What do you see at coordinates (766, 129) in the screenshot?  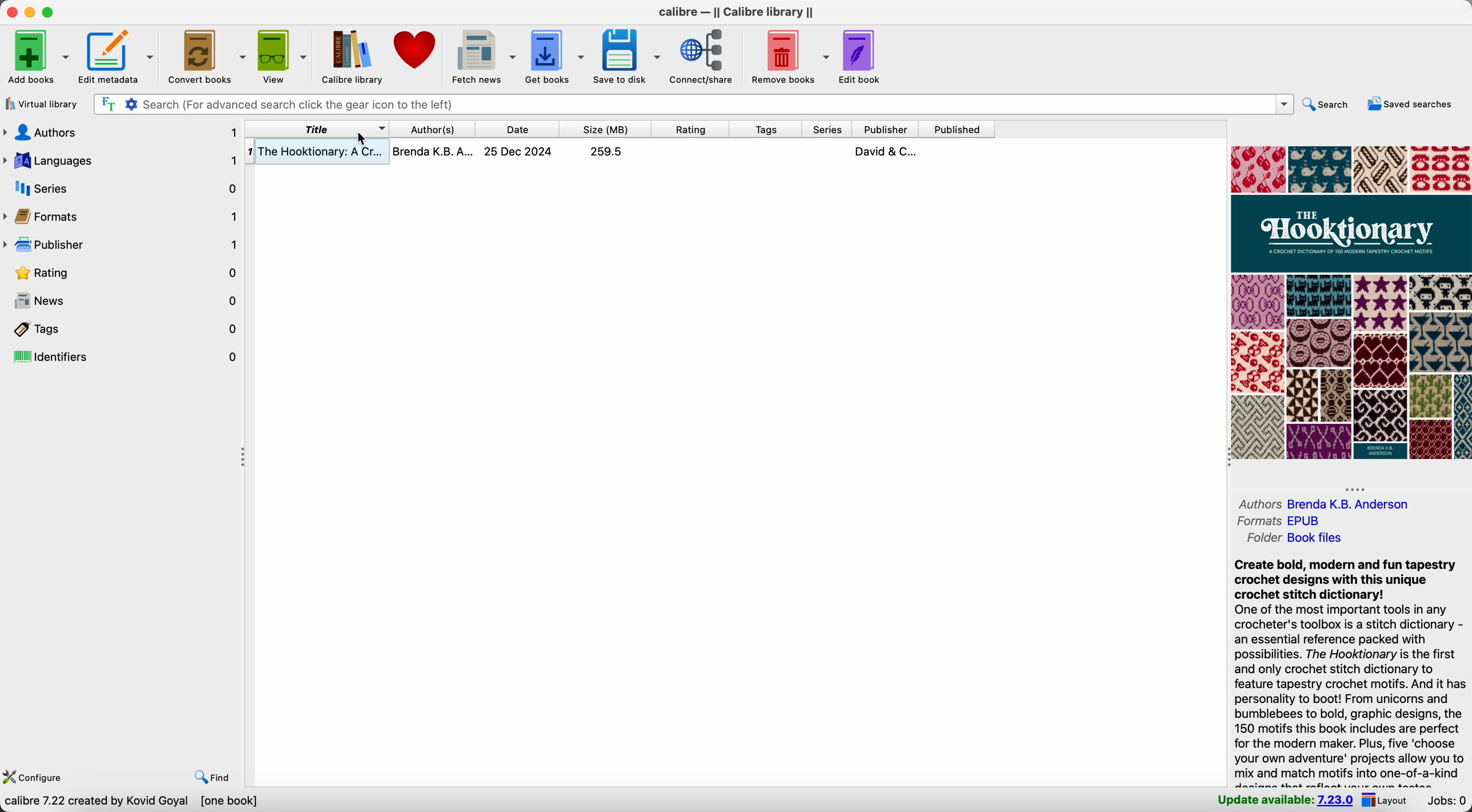 I see `tags` at bounding box center [766, 129].